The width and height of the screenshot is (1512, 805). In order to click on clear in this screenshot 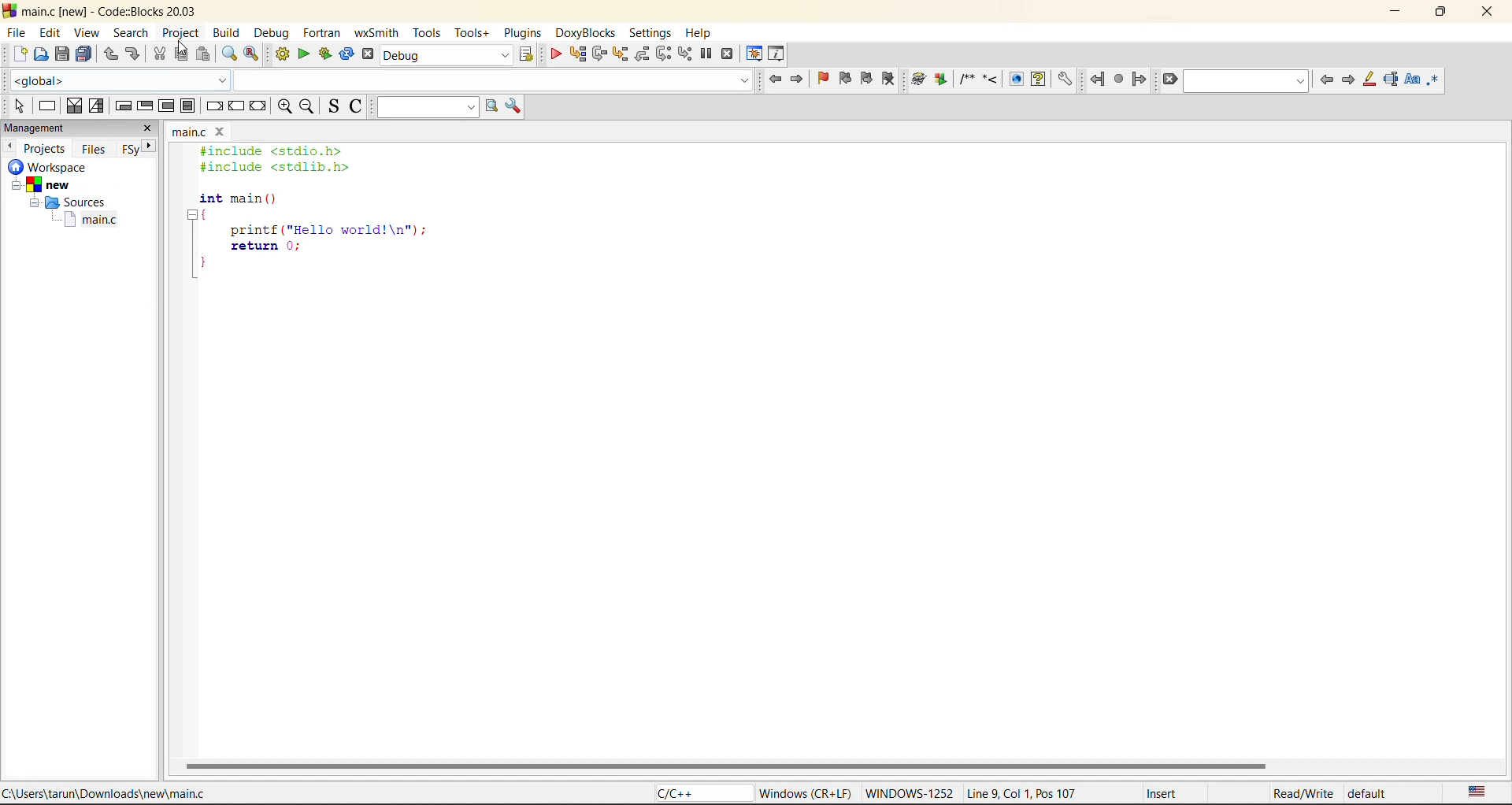, I will do `click(1171, 80)`.